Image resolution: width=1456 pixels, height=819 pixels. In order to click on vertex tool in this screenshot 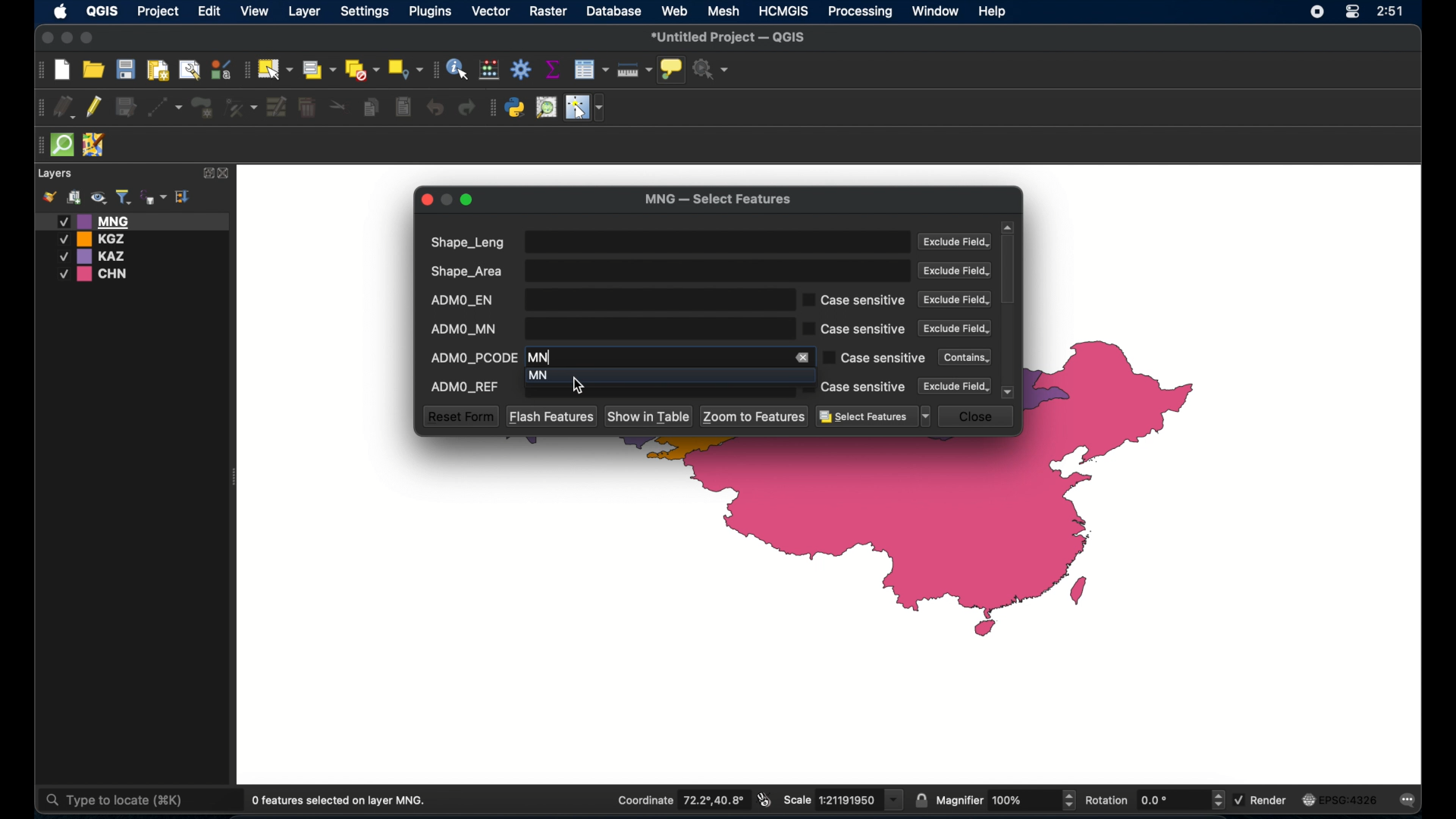, I will do `click(242, 106)`.